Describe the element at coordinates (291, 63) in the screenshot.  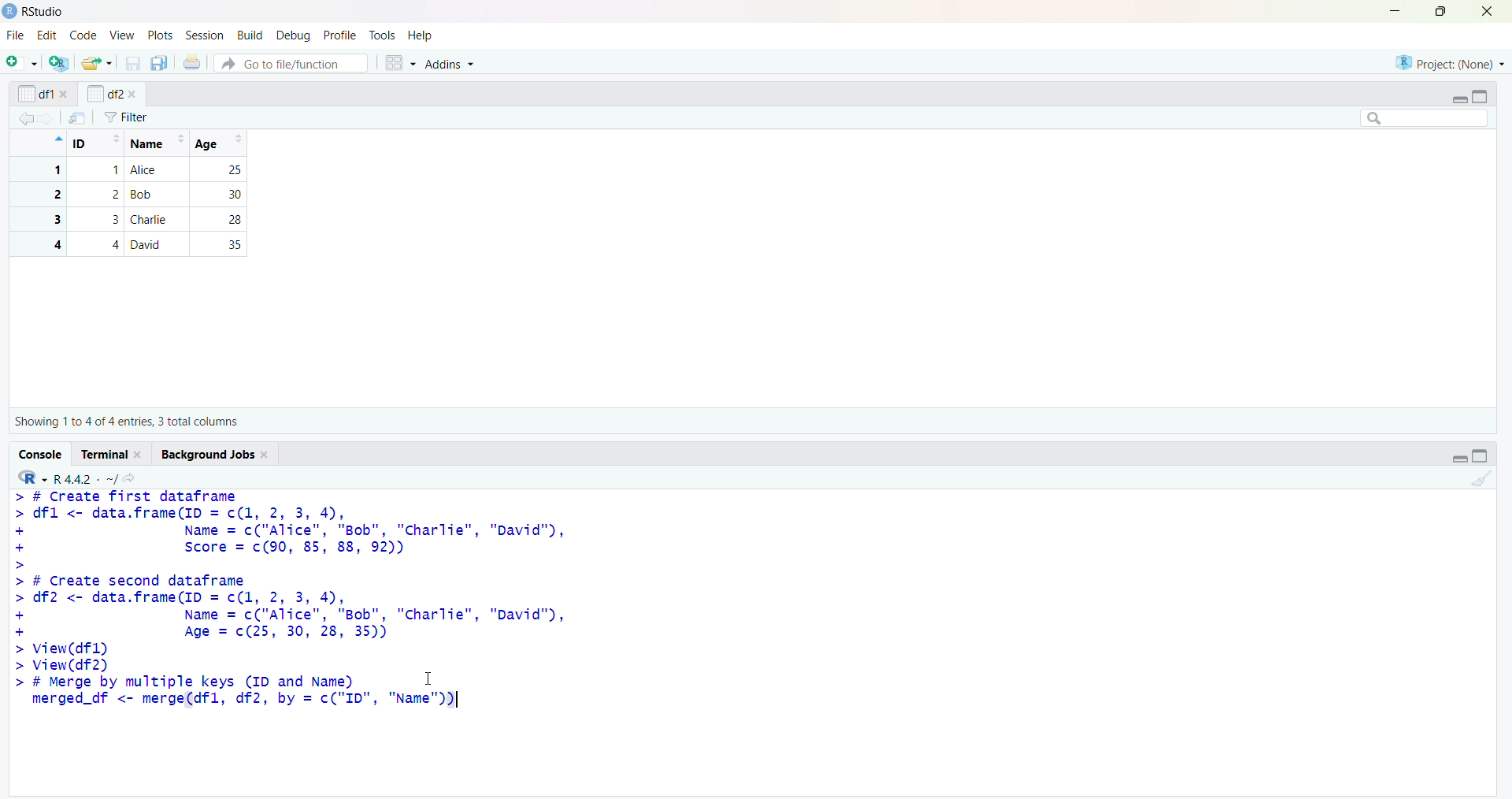
I see `Go to file/function` at that location.